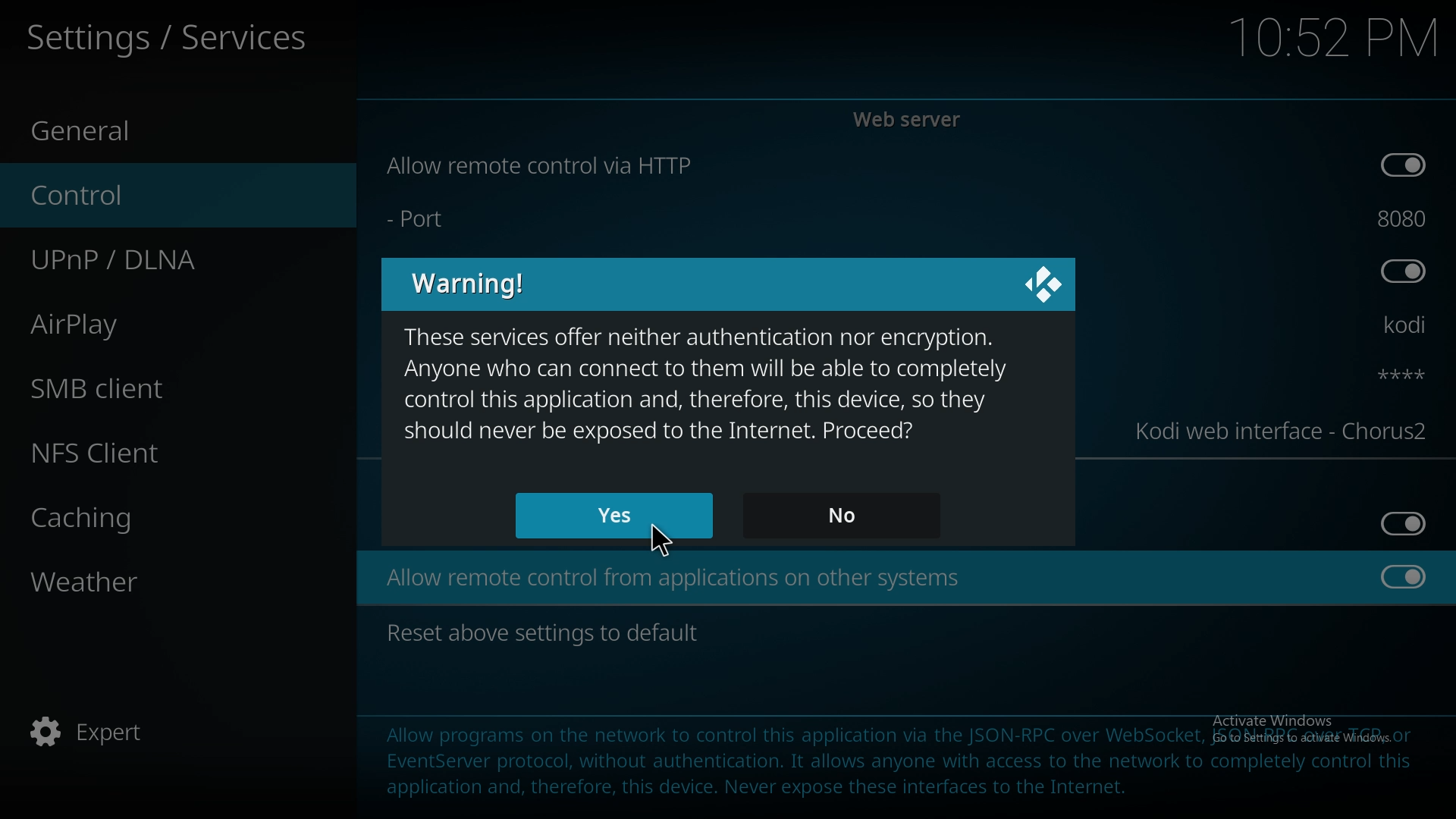 Image resolution: width=1456 pixels, height=819 pixels. Describe the element at coordinates (159, 451) in the screenshot. I see `nfs client` at that location.